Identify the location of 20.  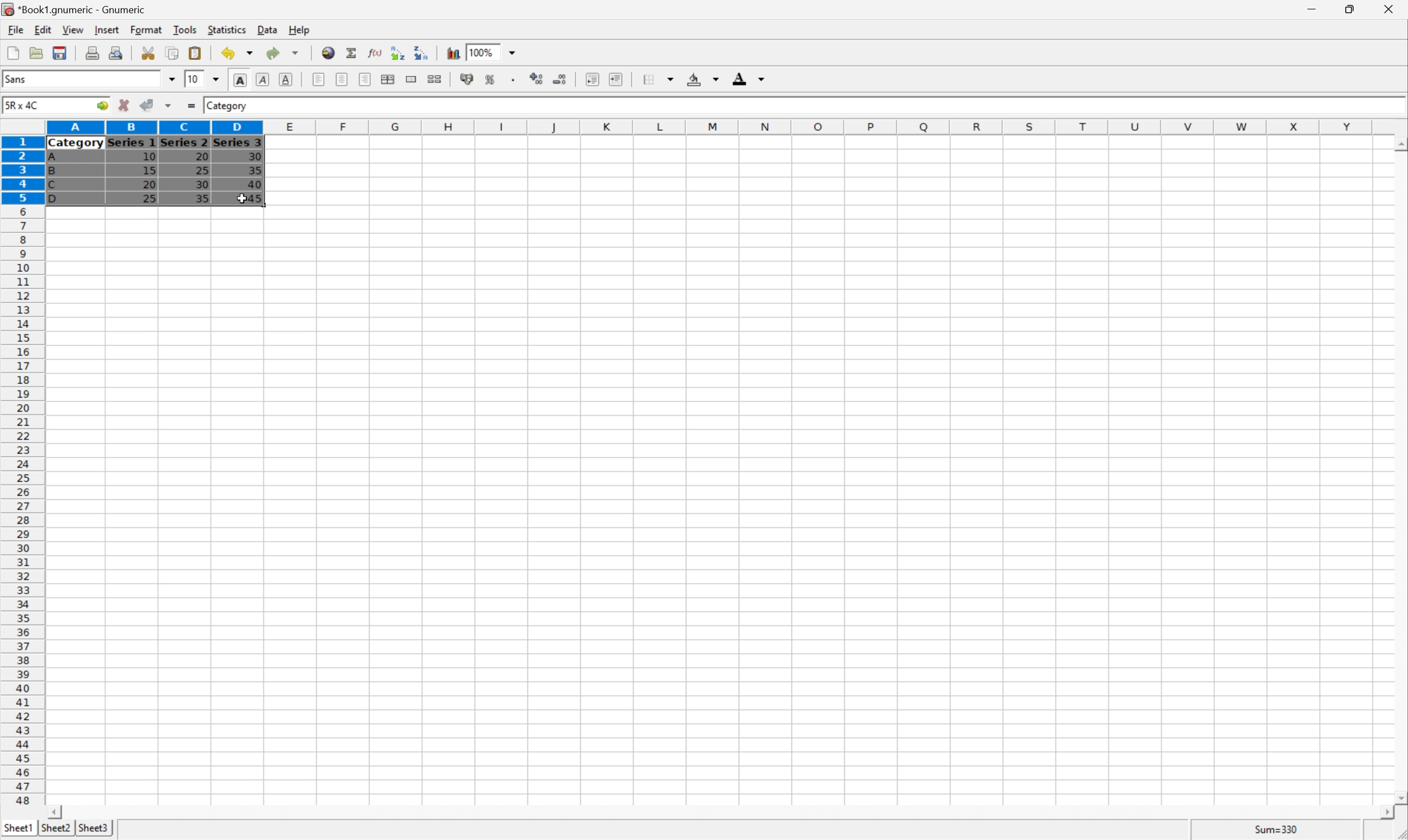
(149, 185).